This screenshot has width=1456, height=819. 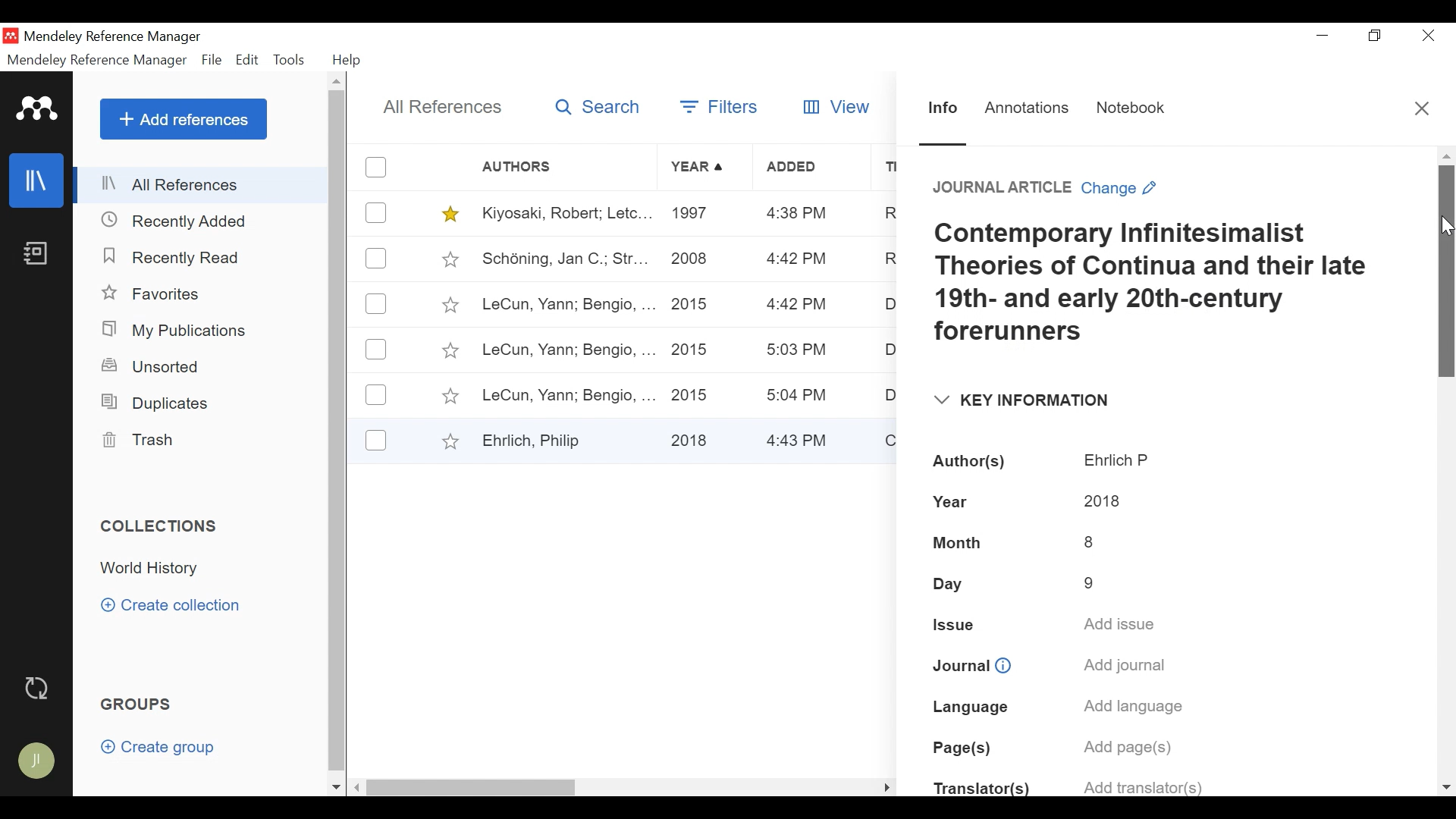 What do you see at coordinates (693, 350) in the screenshot?
I see `2015` at bounding box center [693, 350].